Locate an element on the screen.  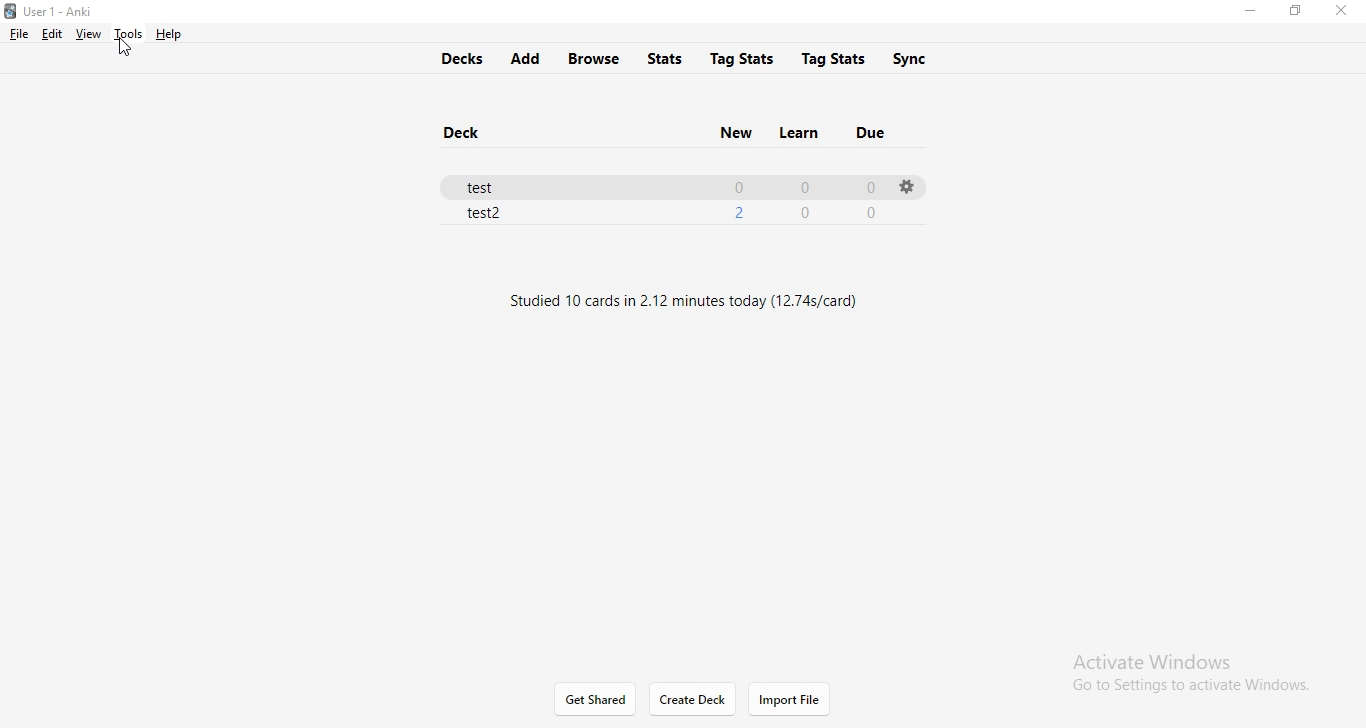
create deck is located at coordinates (691, 702).